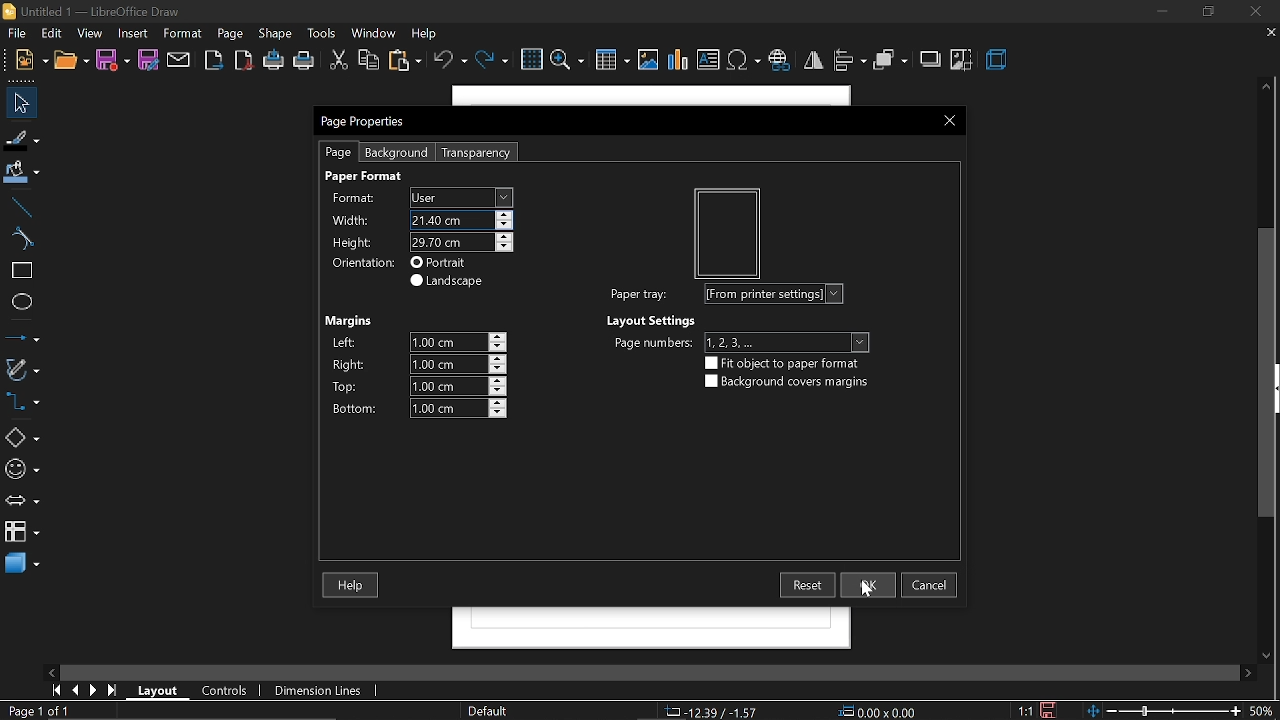 The image size is (1280, 720). What do you see at coordinates (349, 585) in the screenshot?
I see `help` at bounding box center [349, 585].